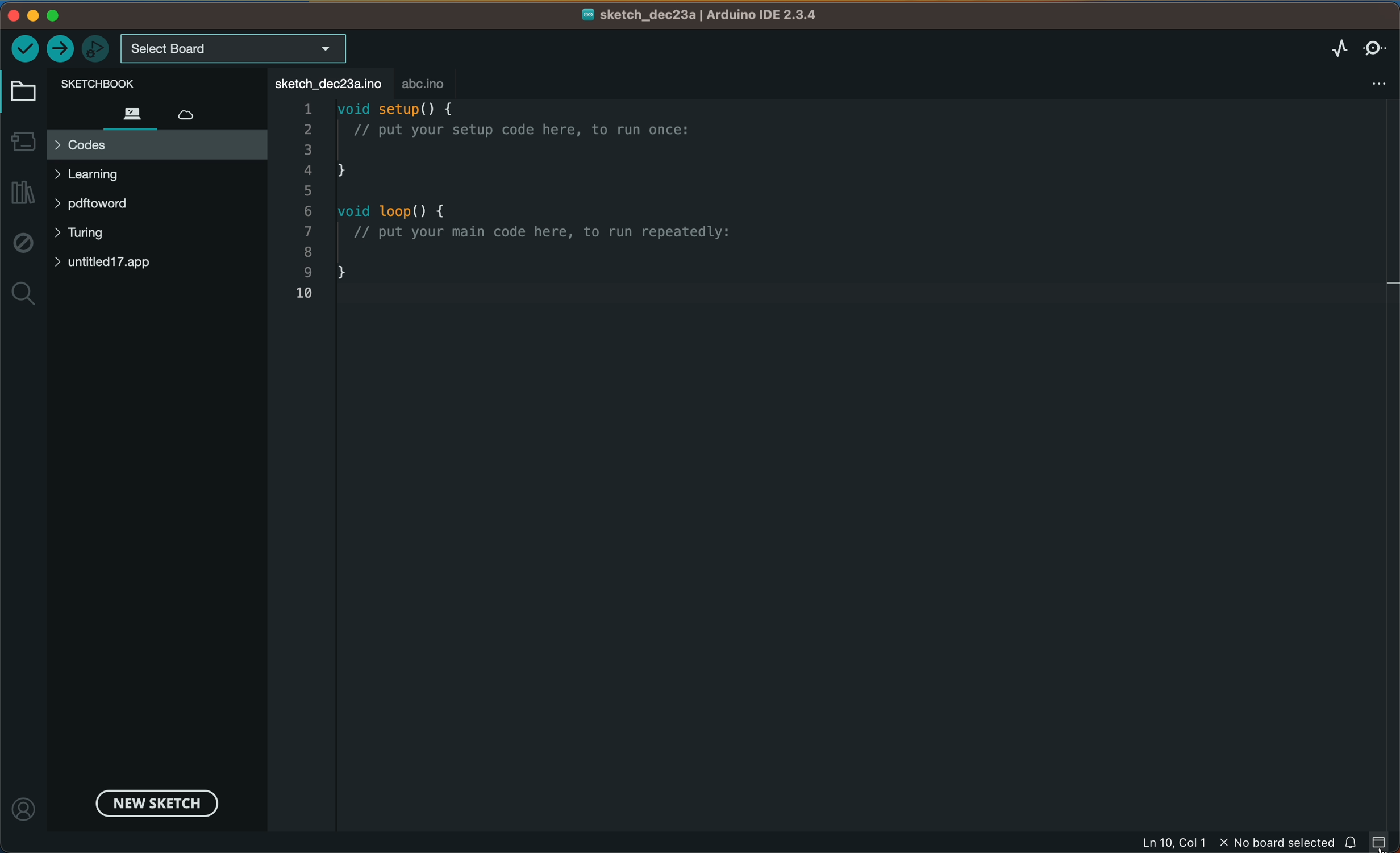  I want to click on window control, so click(84, 16).